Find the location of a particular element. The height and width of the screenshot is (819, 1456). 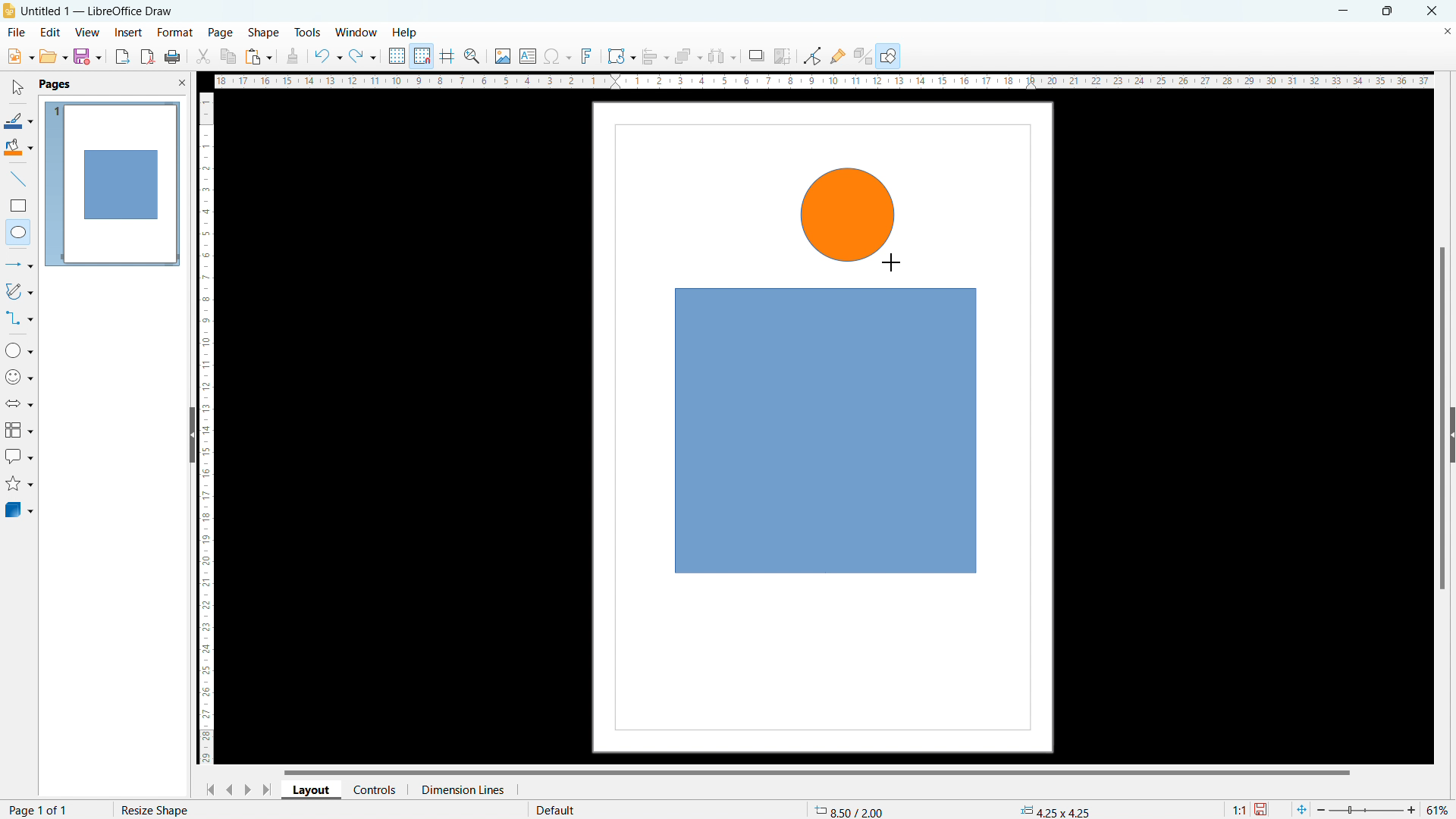

show extrusion is located at coordinates (863, 57).